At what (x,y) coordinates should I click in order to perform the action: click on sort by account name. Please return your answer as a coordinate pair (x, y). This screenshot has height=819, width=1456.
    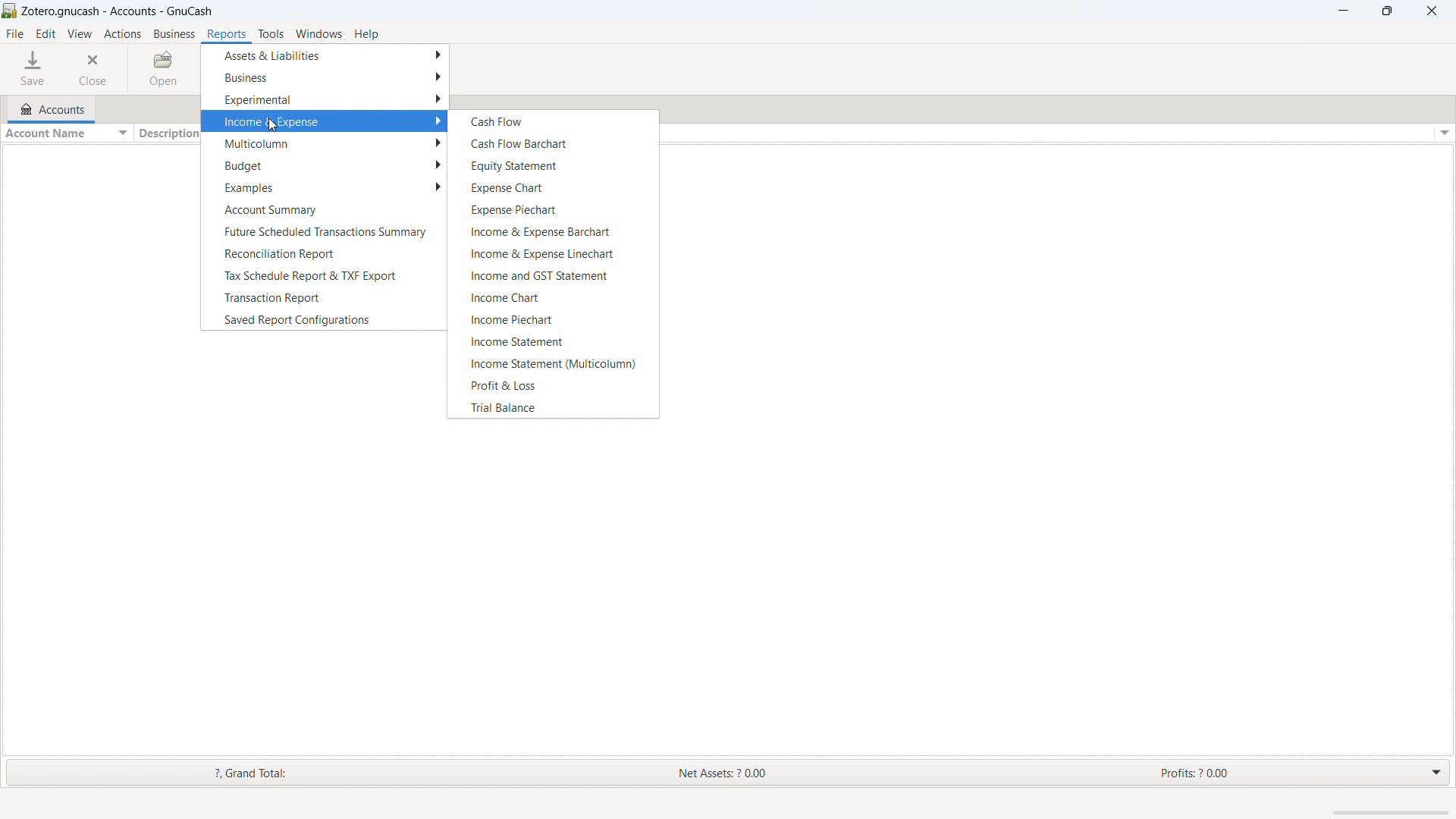
    Looking at the image, I should click on (66, 133).